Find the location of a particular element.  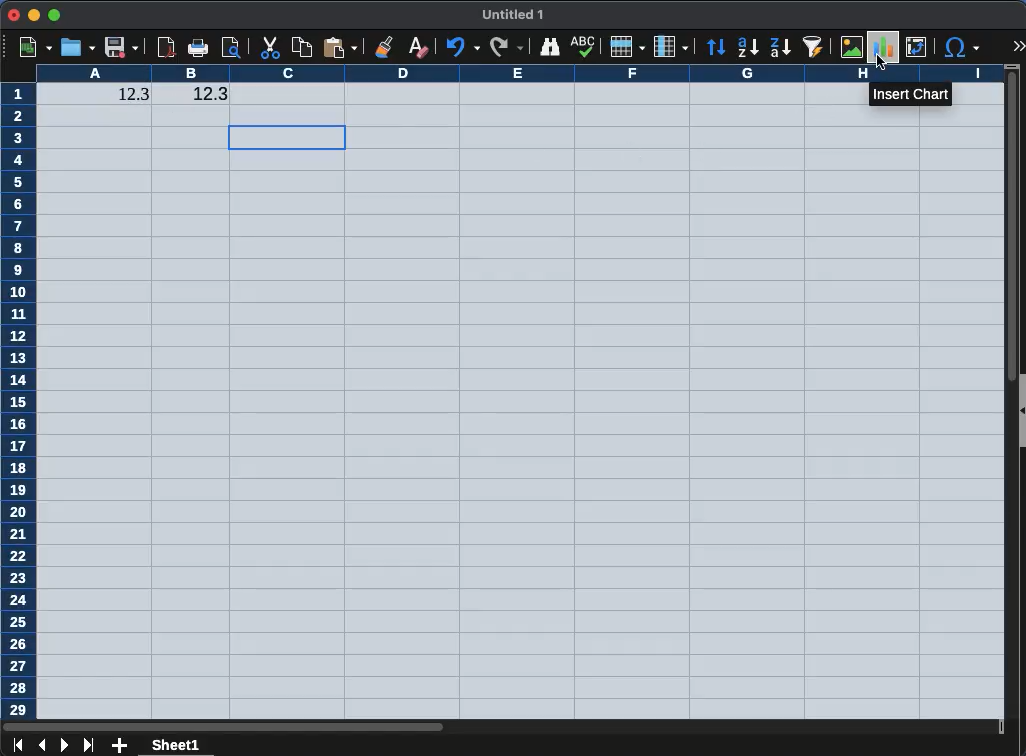

column is located at coordinates (667, 47).